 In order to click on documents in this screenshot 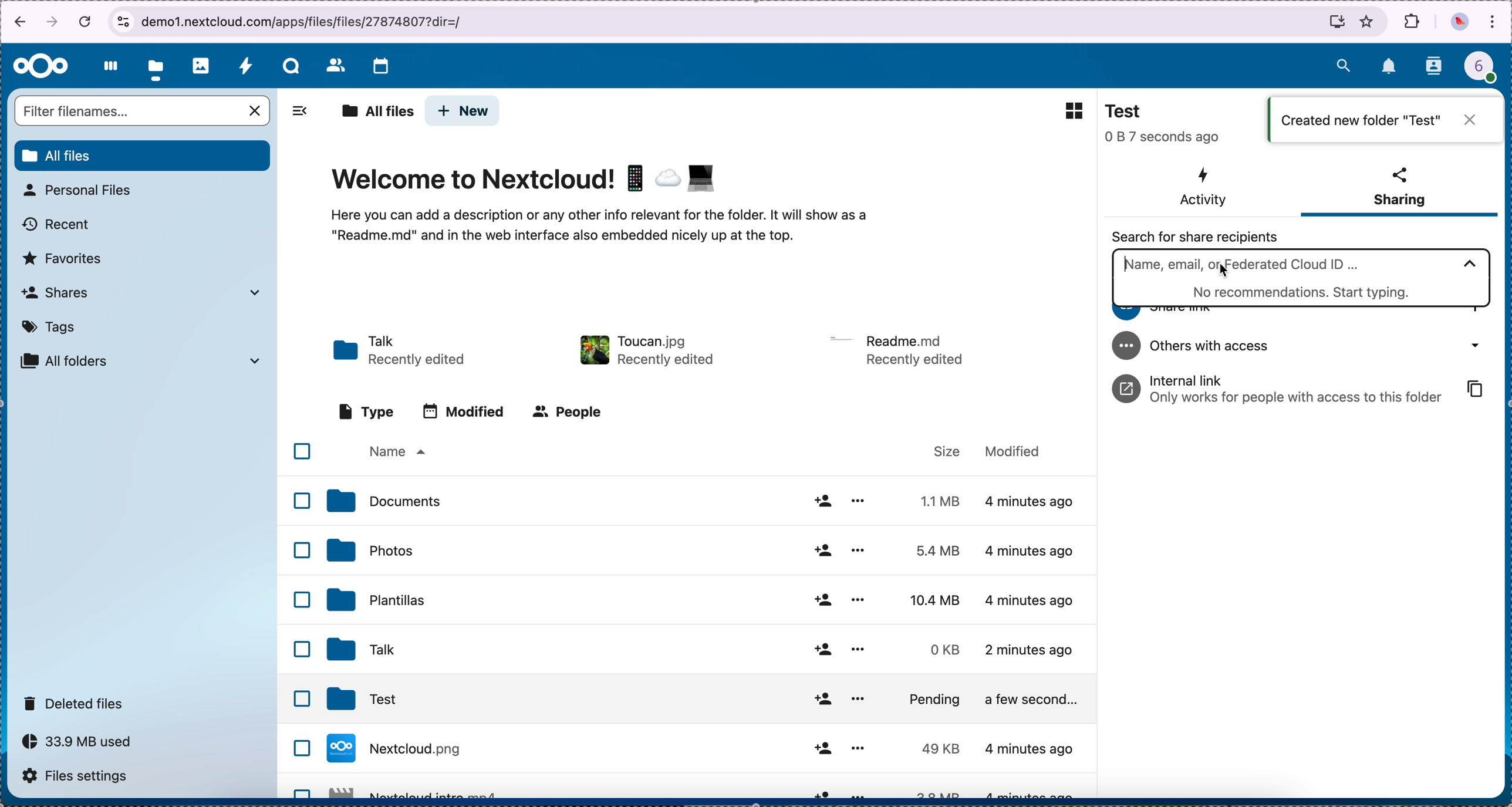, I will do `click(707, 503)`.